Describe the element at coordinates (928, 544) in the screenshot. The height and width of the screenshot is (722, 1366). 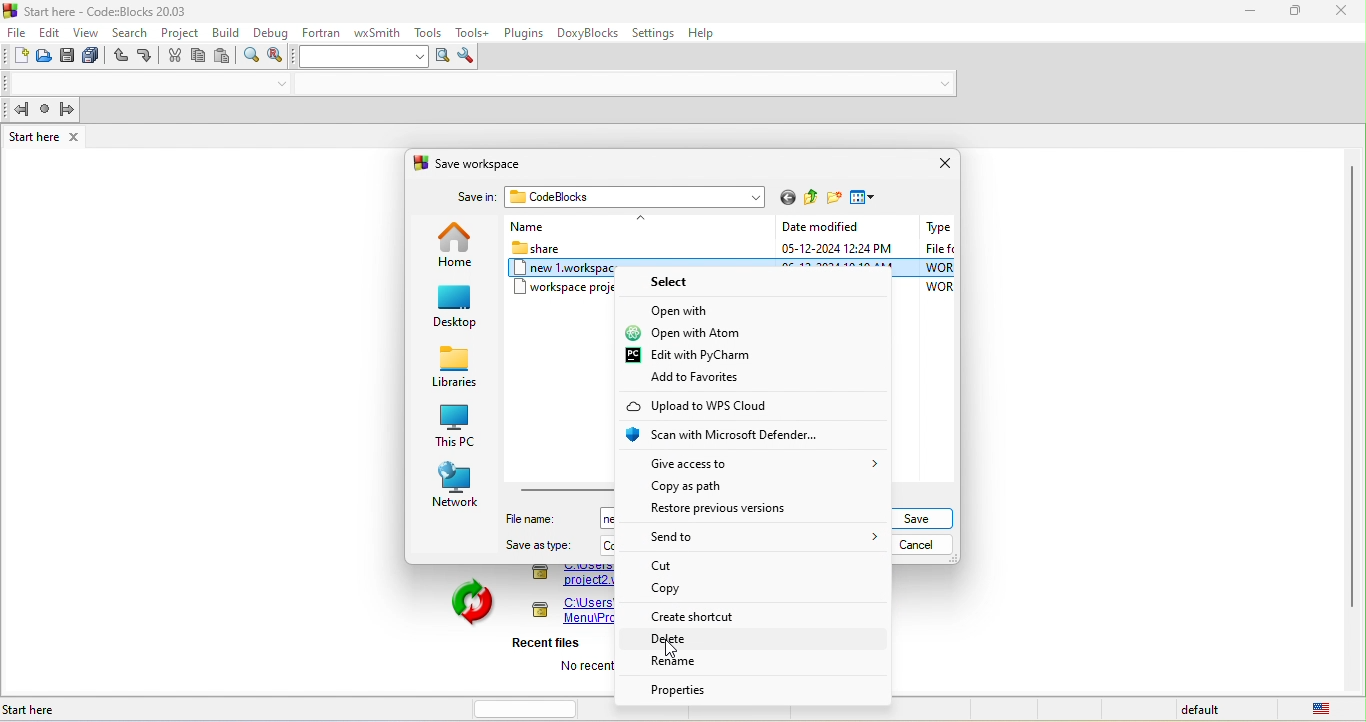
I see `cancel` at that location.